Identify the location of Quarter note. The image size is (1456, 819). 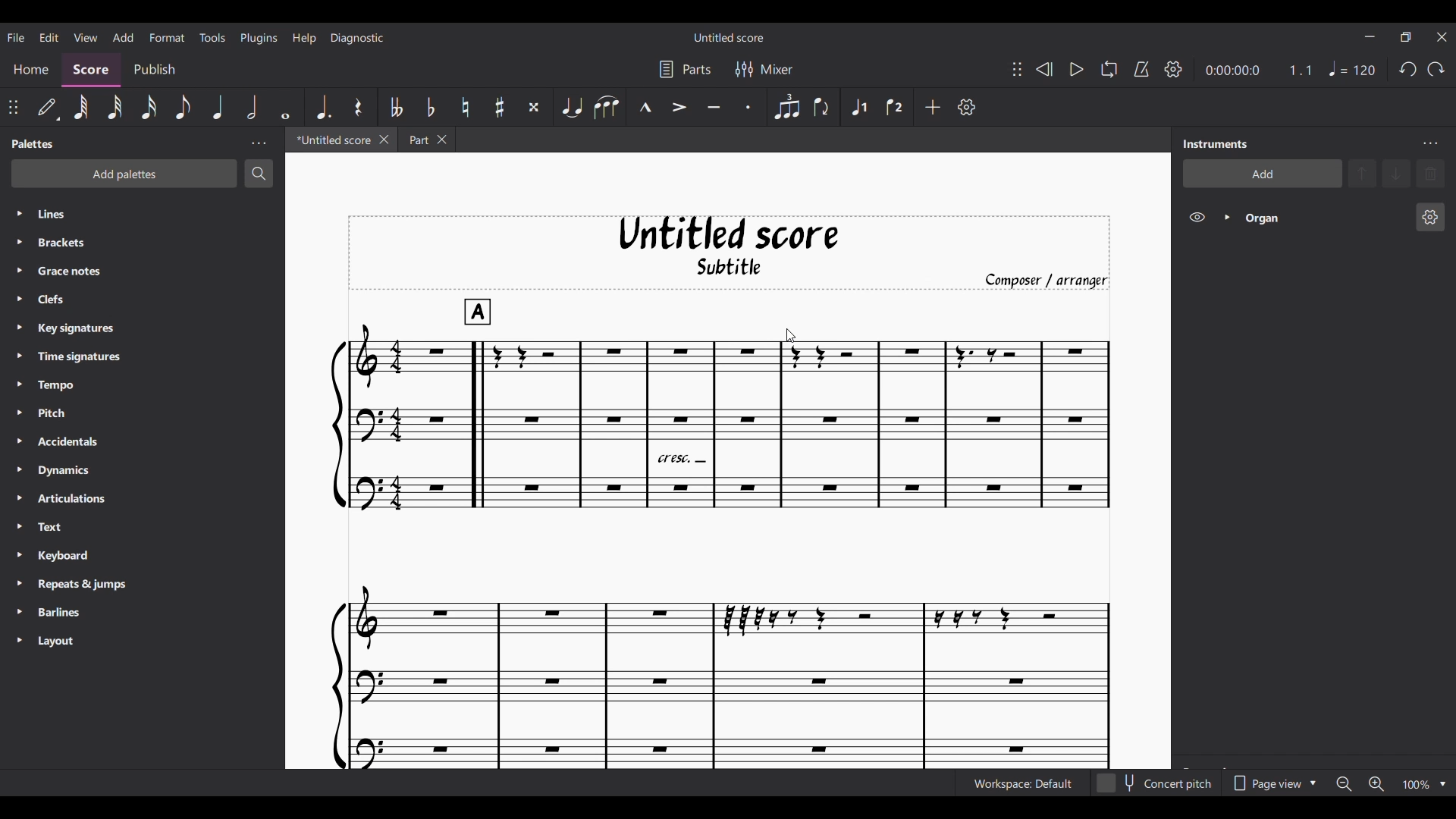
(1351, 68).